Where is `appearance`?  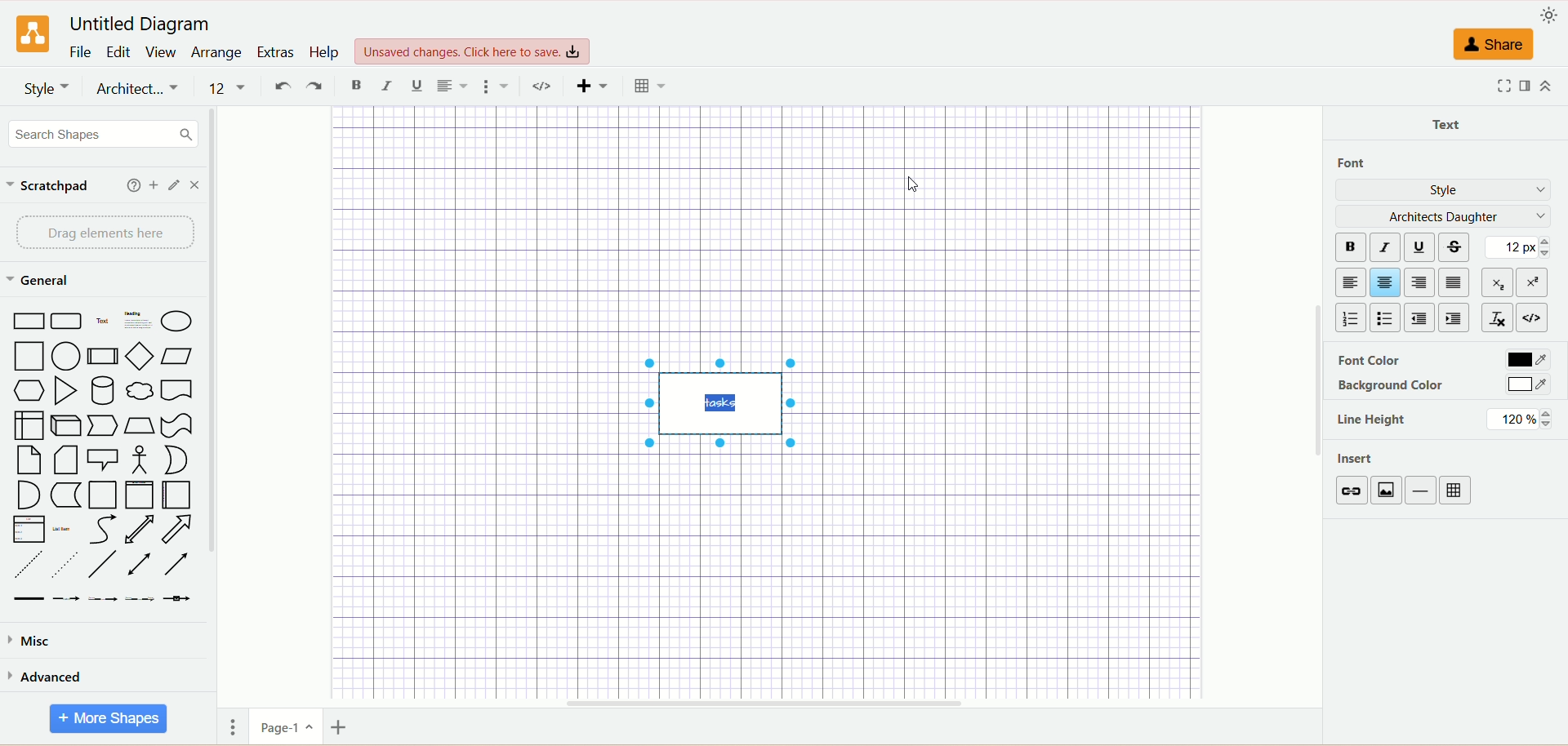
appearance is located at coordinates (1548, 16).